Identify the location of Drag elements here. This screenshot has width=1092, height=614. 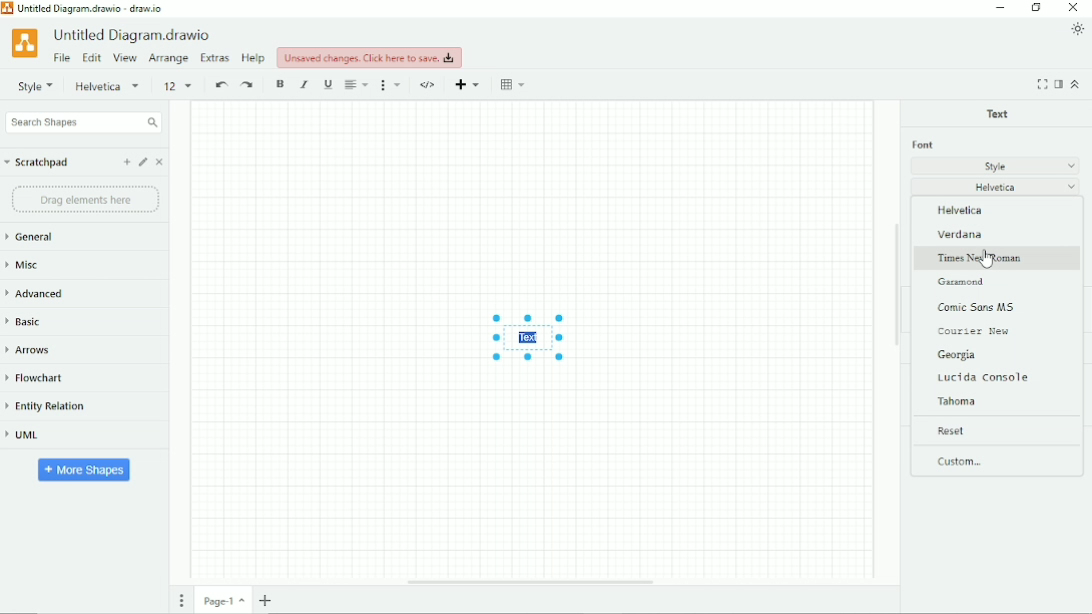
(85, 200).